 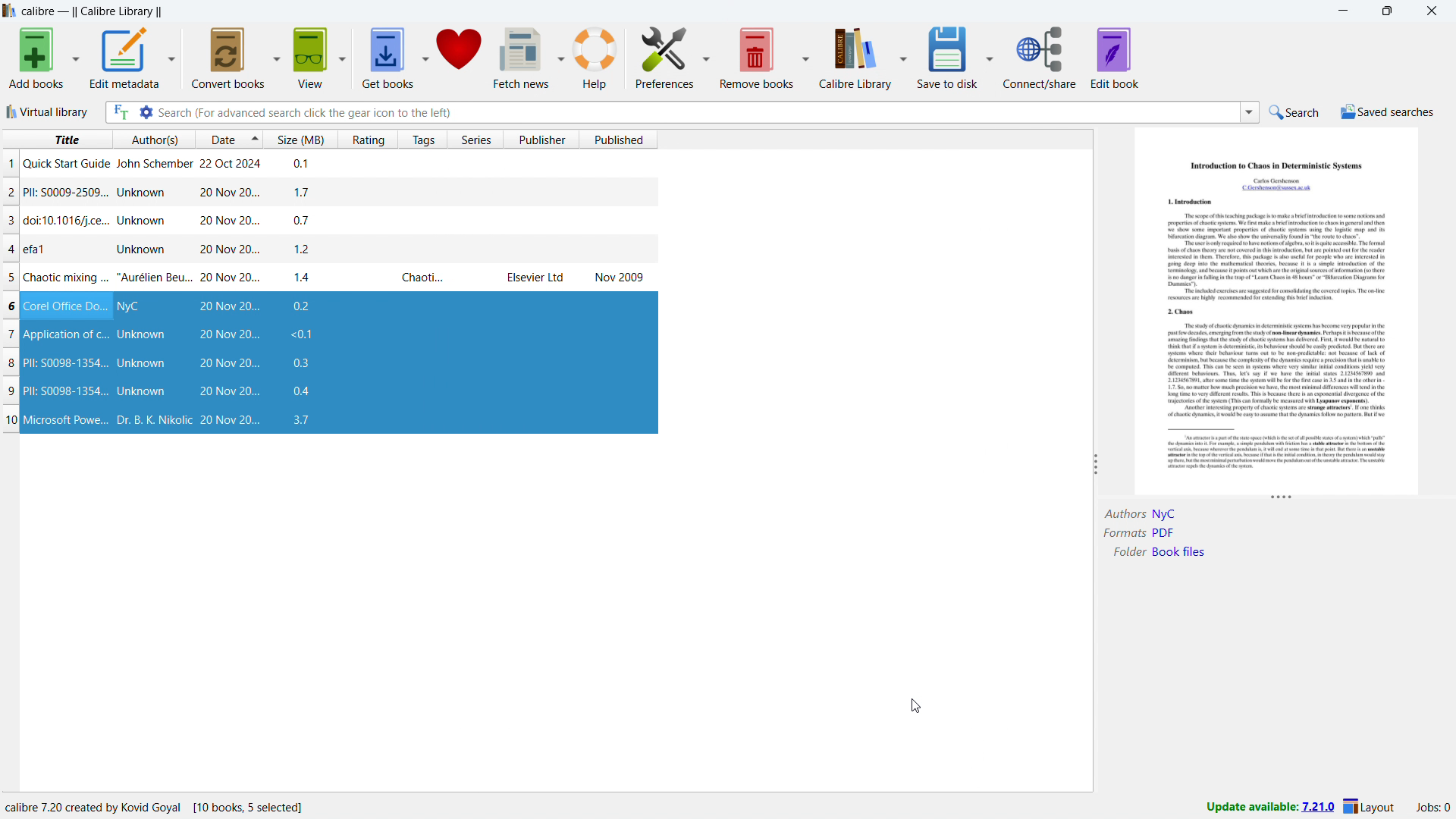 What do you see at coordinates (1387, 111) in the screenshot?
I see `saved searches menu` at bounding box center [1387, 111].